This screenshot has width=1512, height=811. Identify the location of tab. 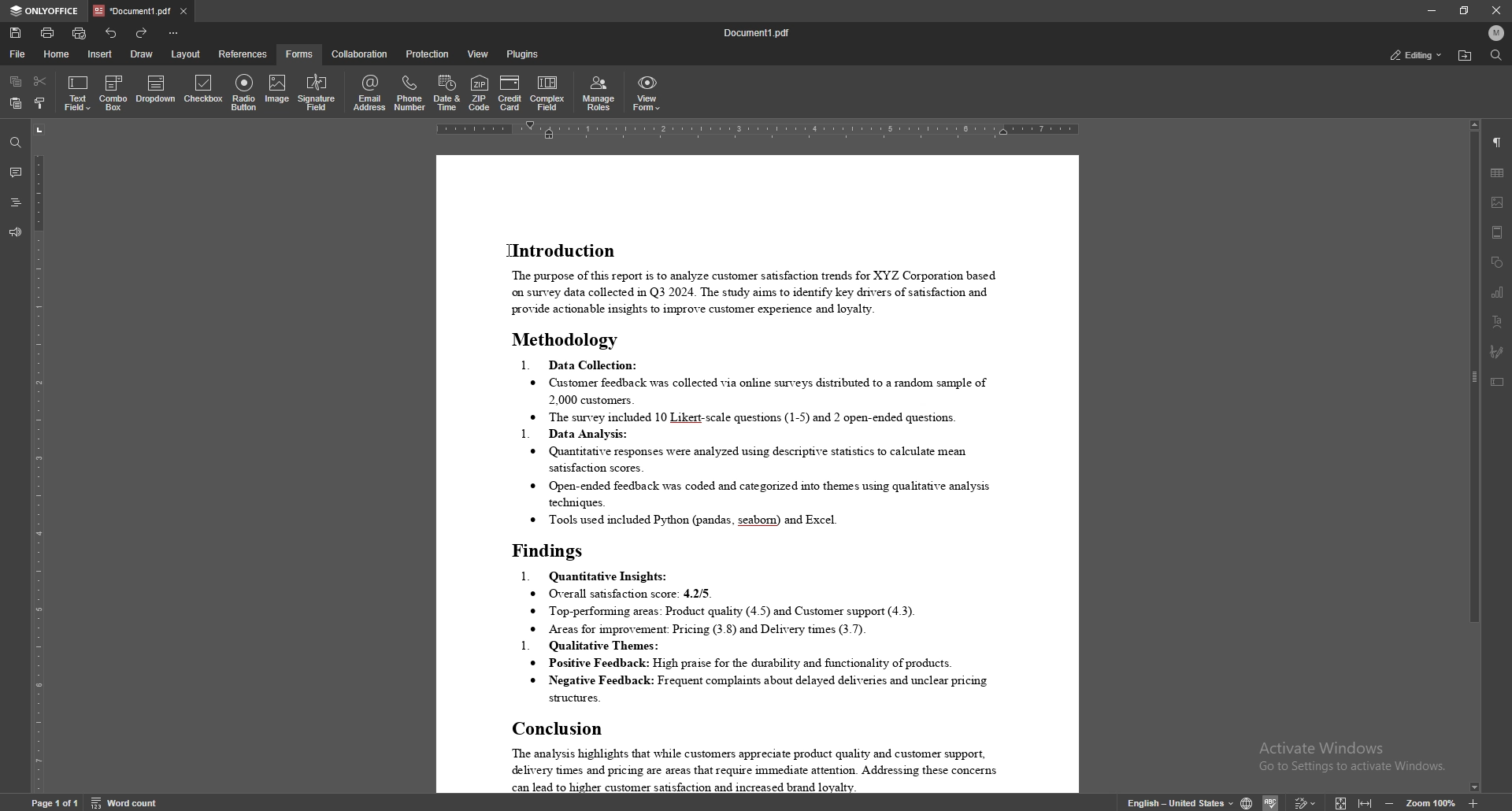
(130, 10).